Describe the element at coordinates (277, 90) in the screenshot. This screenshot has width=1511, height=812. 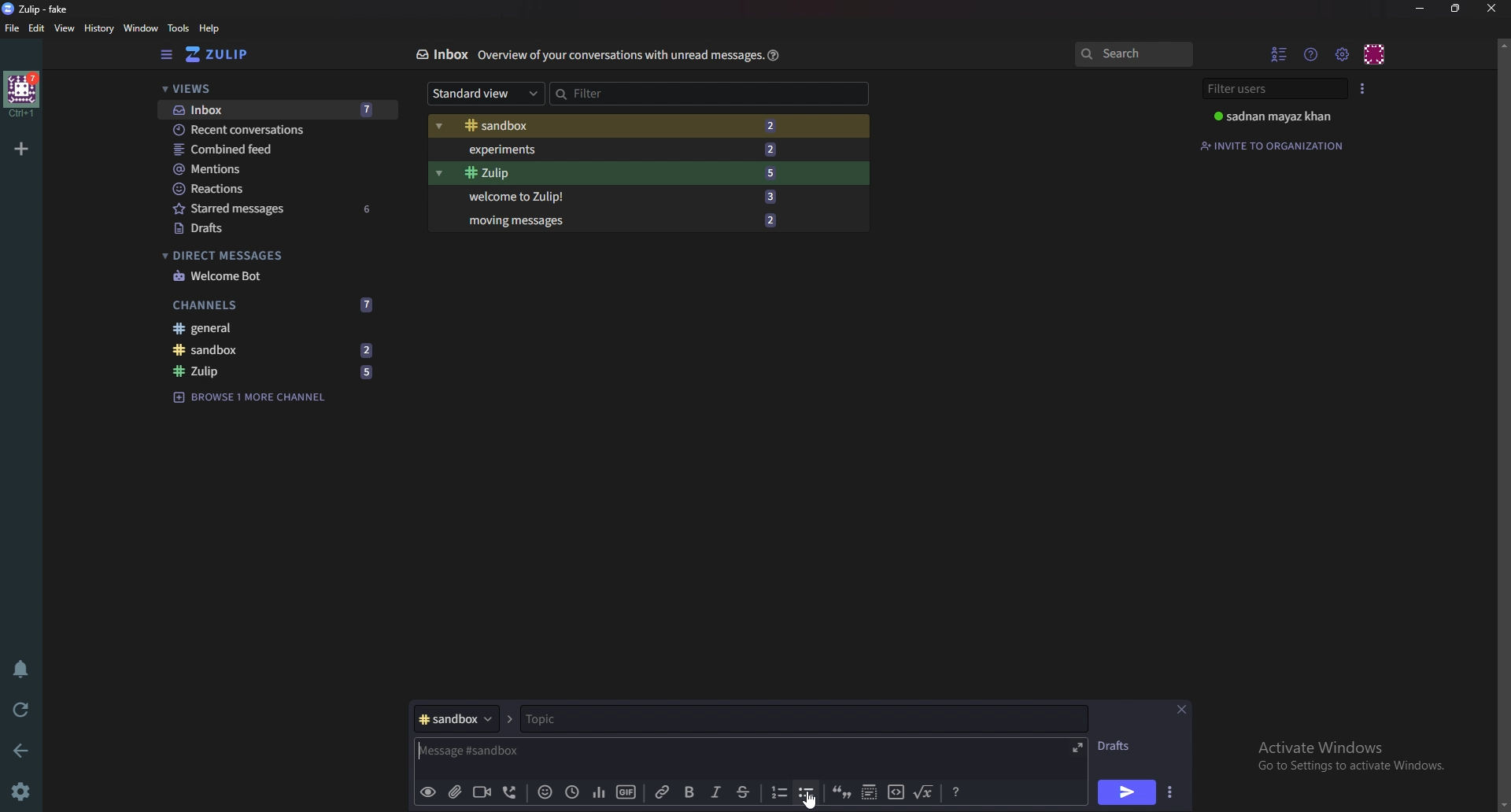
I see `views` at that location.